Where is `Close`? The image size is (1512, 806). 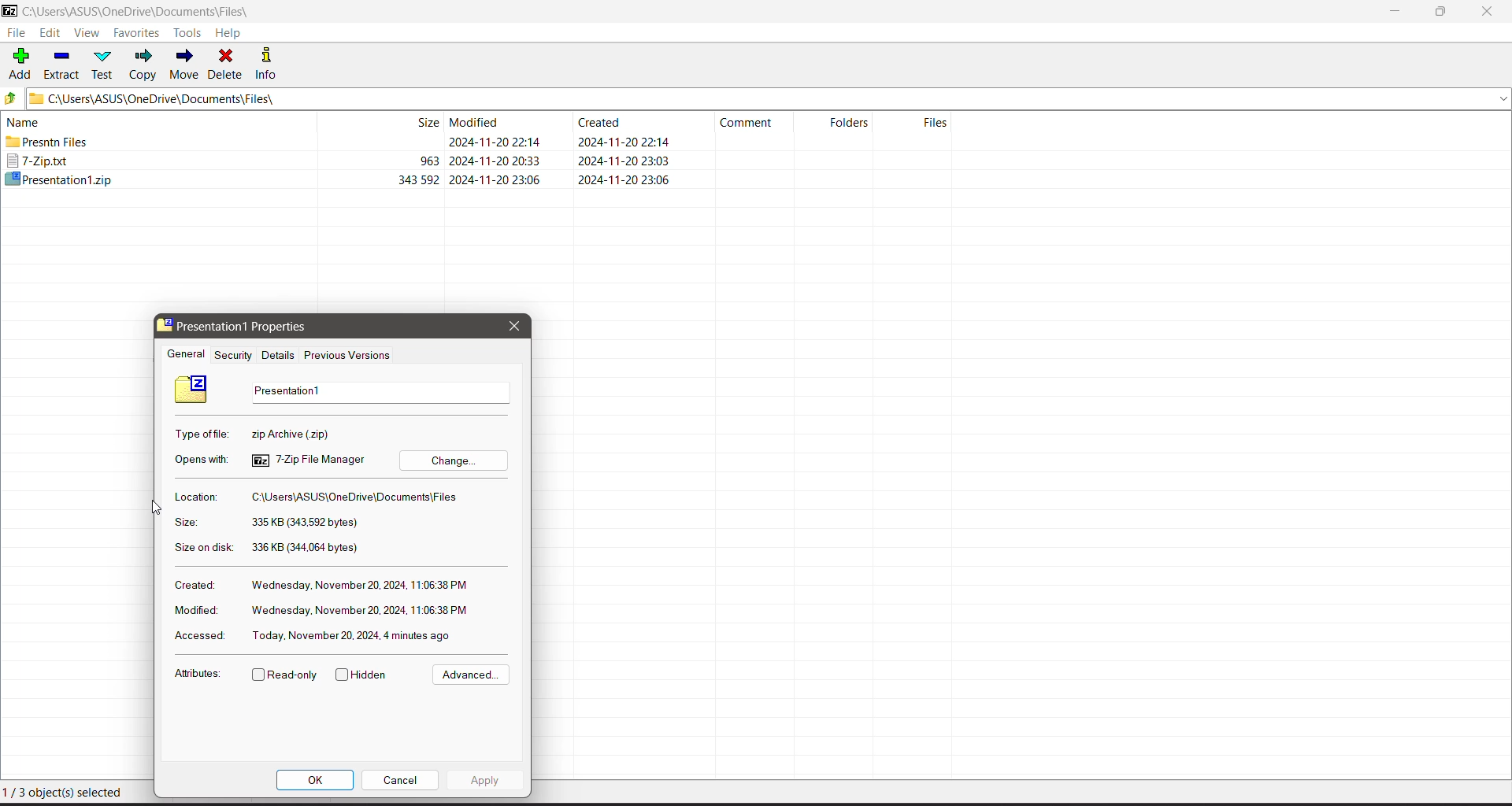 Close is located at coordinates (515, 327).